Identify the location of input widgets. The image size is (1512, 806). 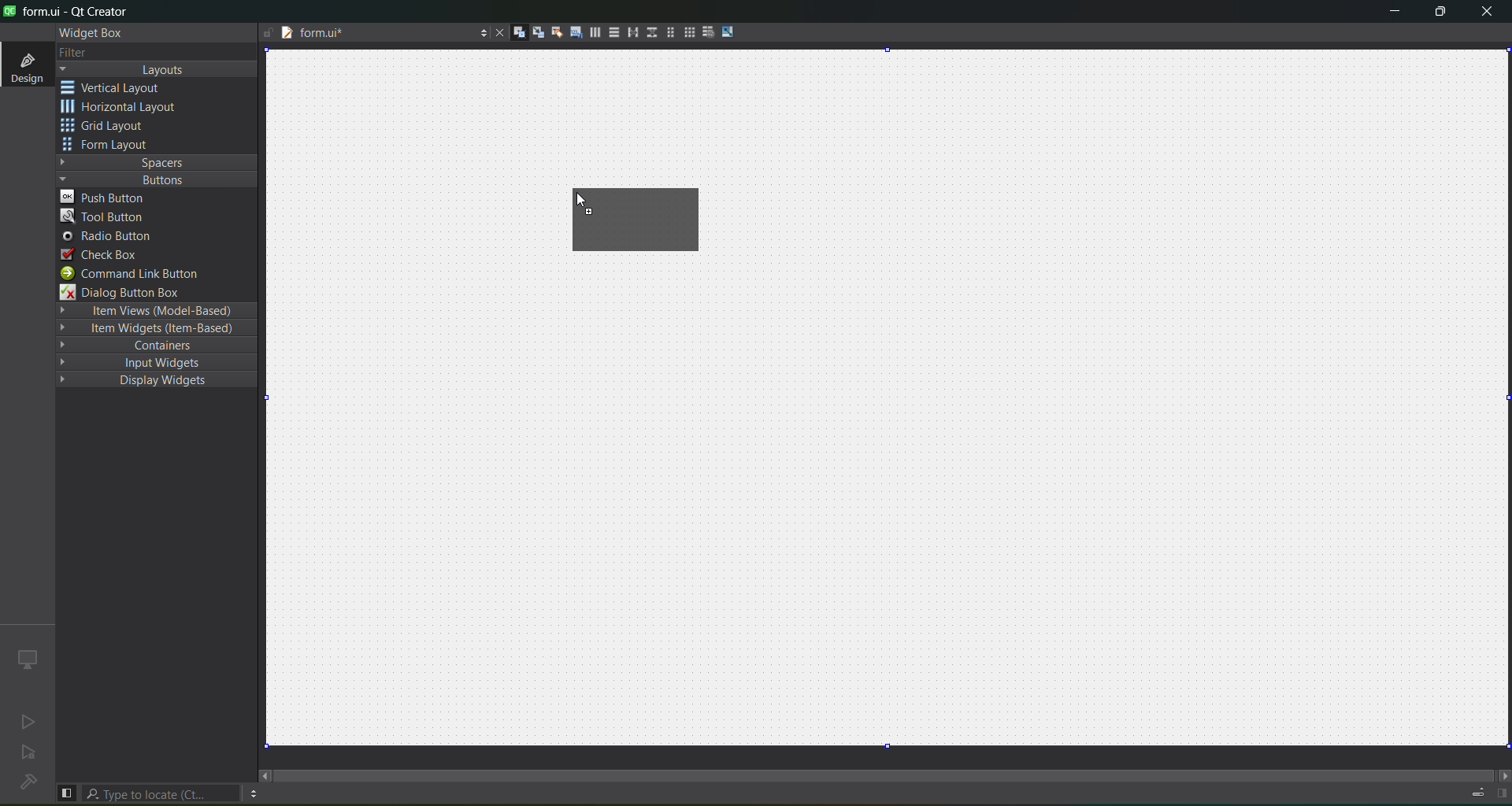
(149, 362).